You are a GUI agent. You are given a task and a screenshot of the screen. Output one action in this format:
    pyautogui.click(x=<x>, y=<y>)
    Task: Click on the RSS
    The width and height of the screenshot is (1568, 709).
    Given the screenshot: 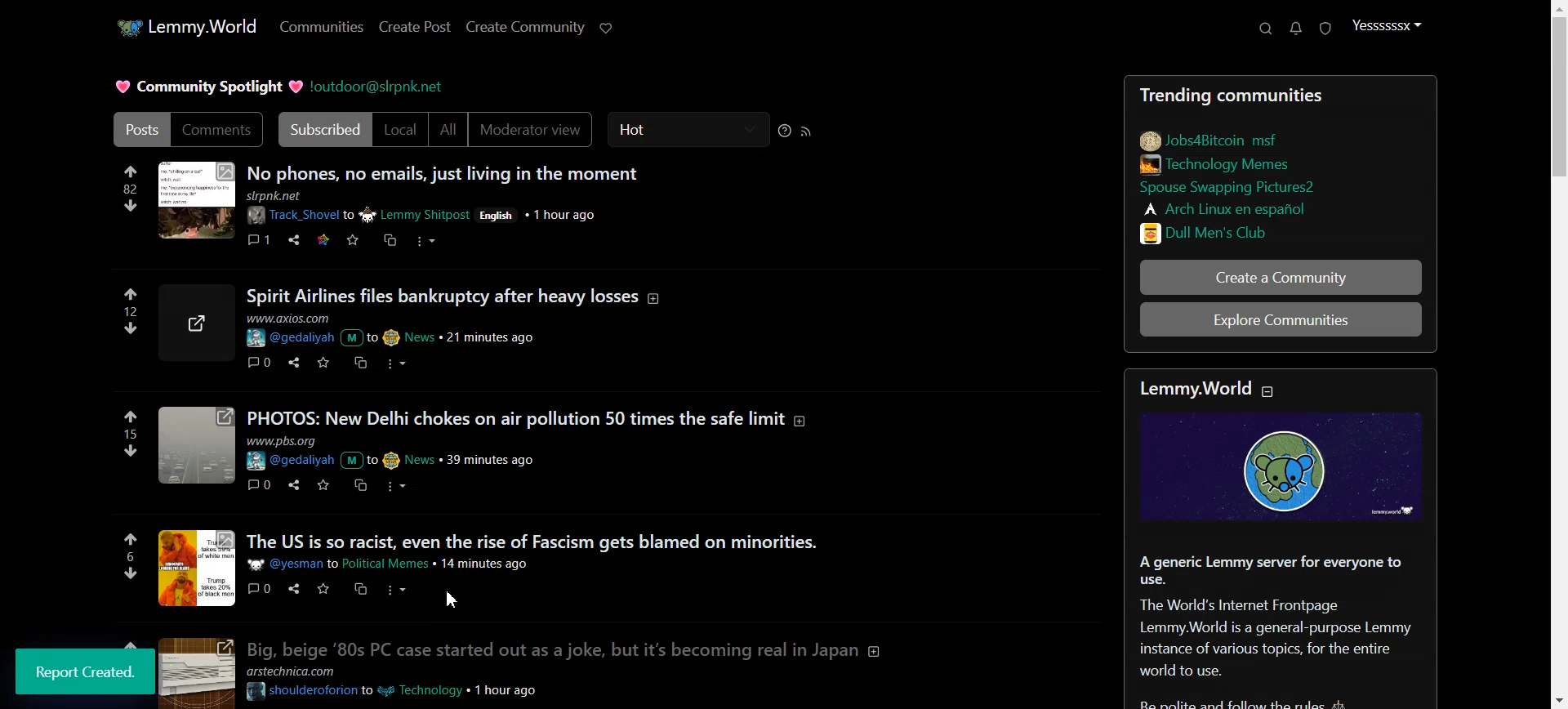 What is the action you would take?
    pyautogui.click(x=807, y=131)
    